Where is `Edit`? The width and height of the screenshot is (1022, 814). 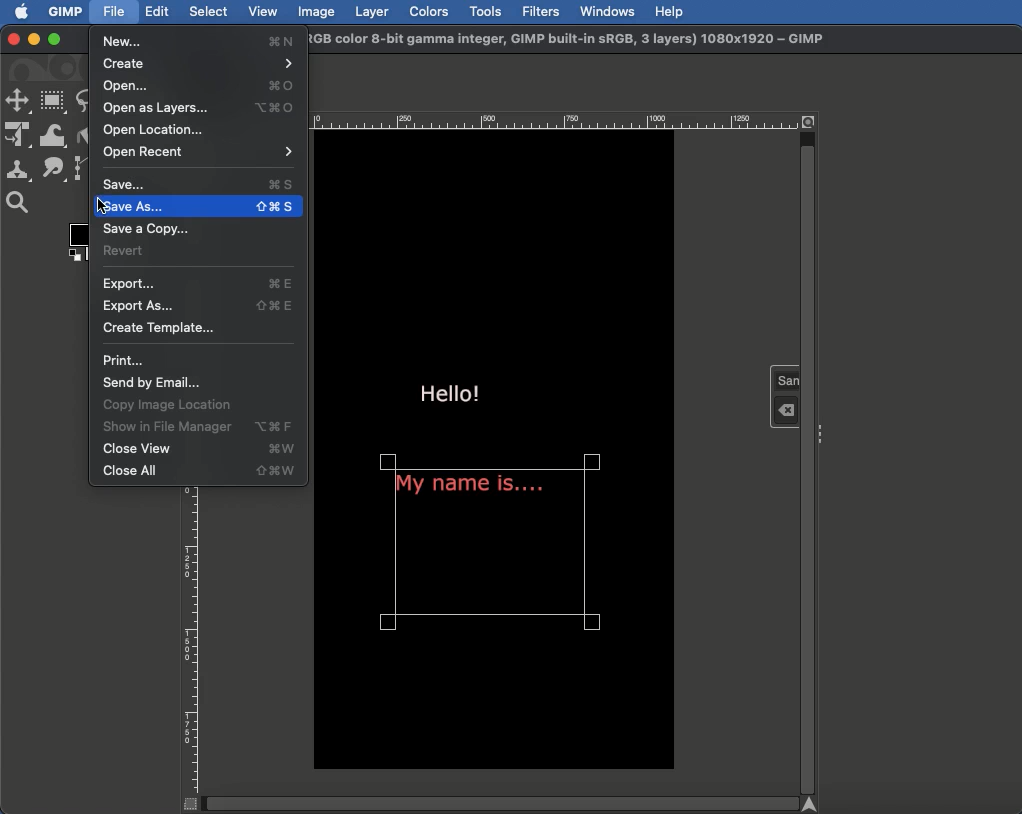
Edit is located at coordinates (158, 11).